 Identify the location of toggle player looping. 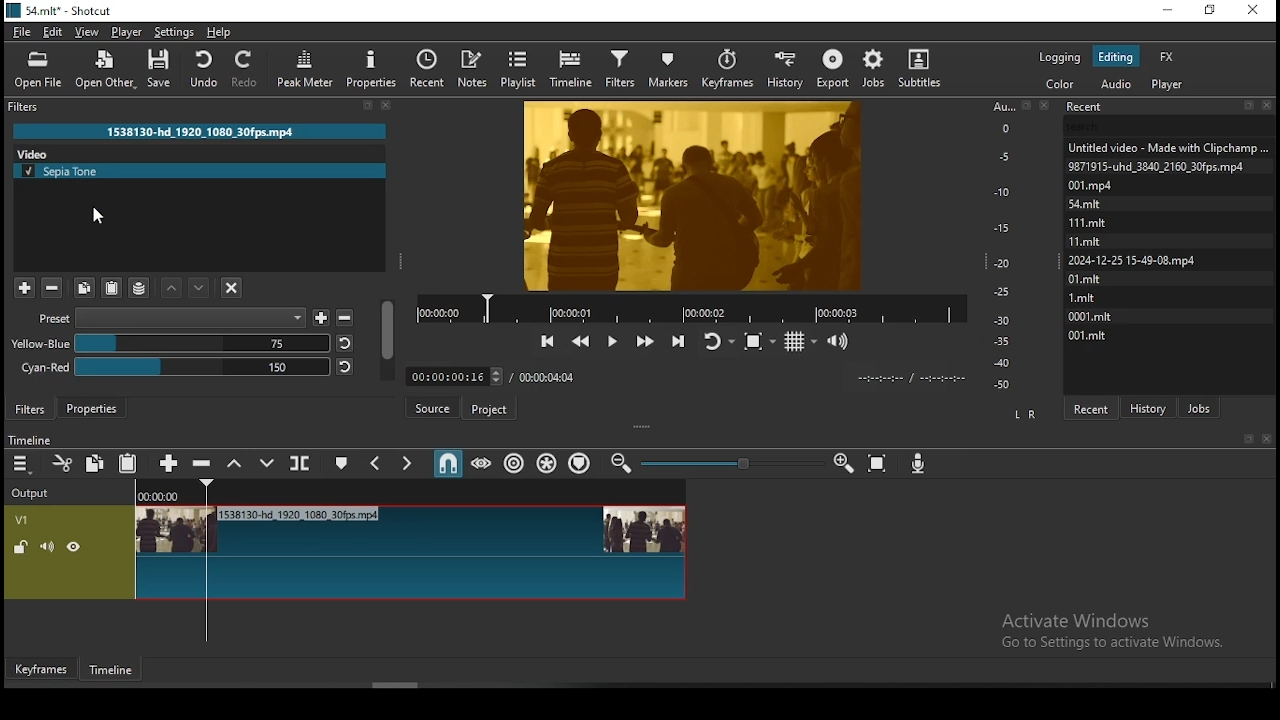
(718, 340).